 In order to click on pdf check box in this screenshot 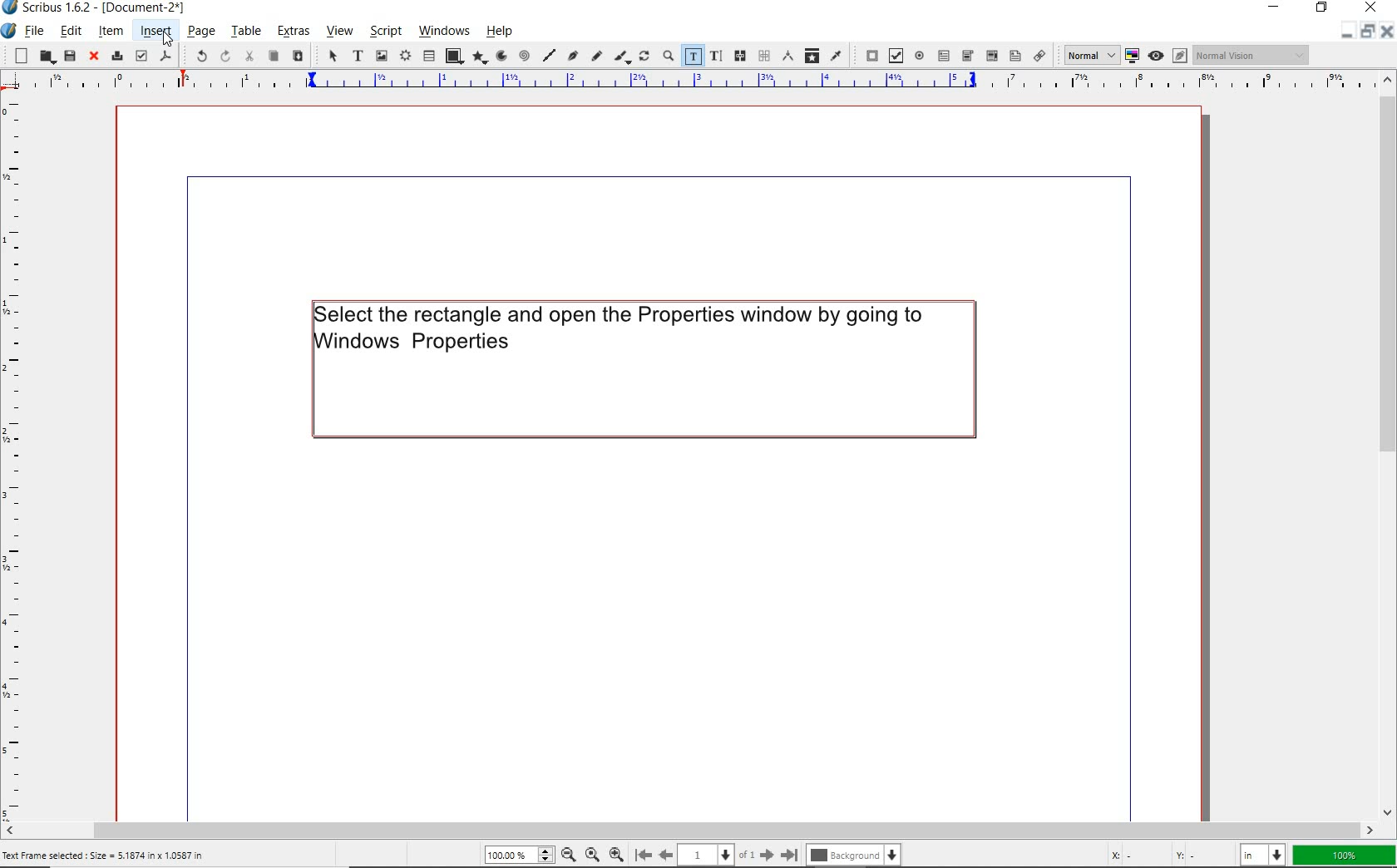, I will do `click(895, 55)`.